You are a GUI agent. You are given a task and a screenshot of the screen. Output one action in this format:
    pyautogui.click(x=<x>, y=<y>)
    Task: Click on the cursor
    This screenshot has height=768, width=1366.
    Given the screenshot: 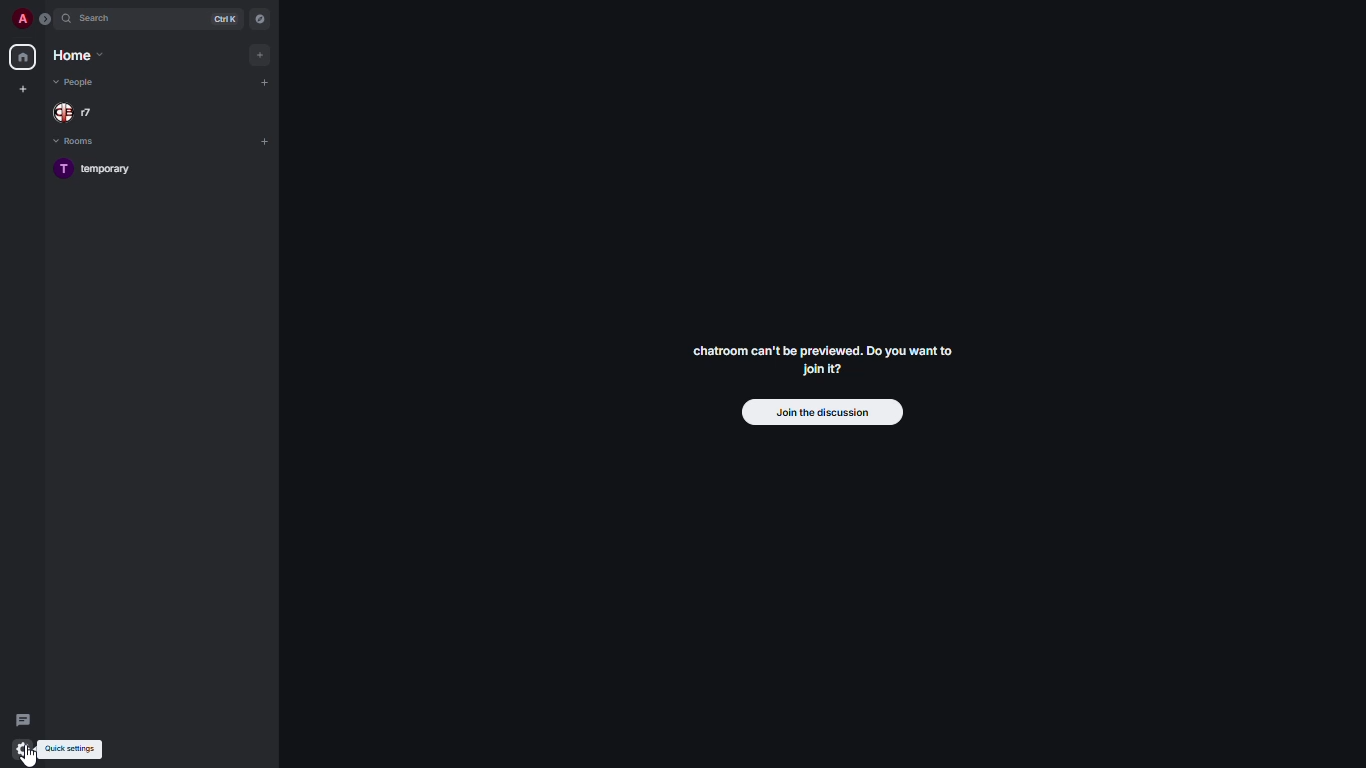 What is the action you would take?
    pyautogui.click(x=31, y=754)
    